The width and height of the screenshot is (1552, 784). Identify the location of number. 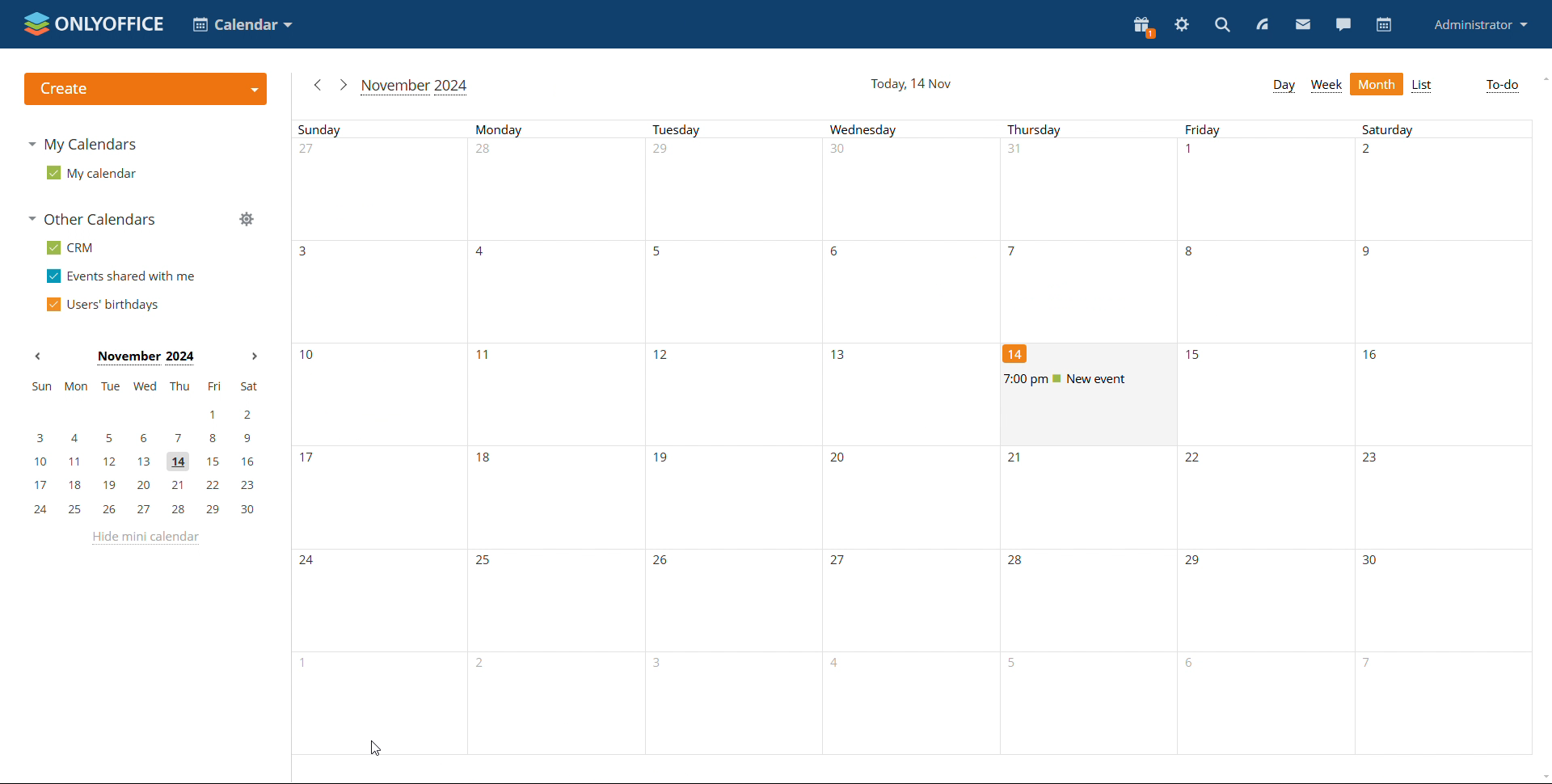
(1194, 664).